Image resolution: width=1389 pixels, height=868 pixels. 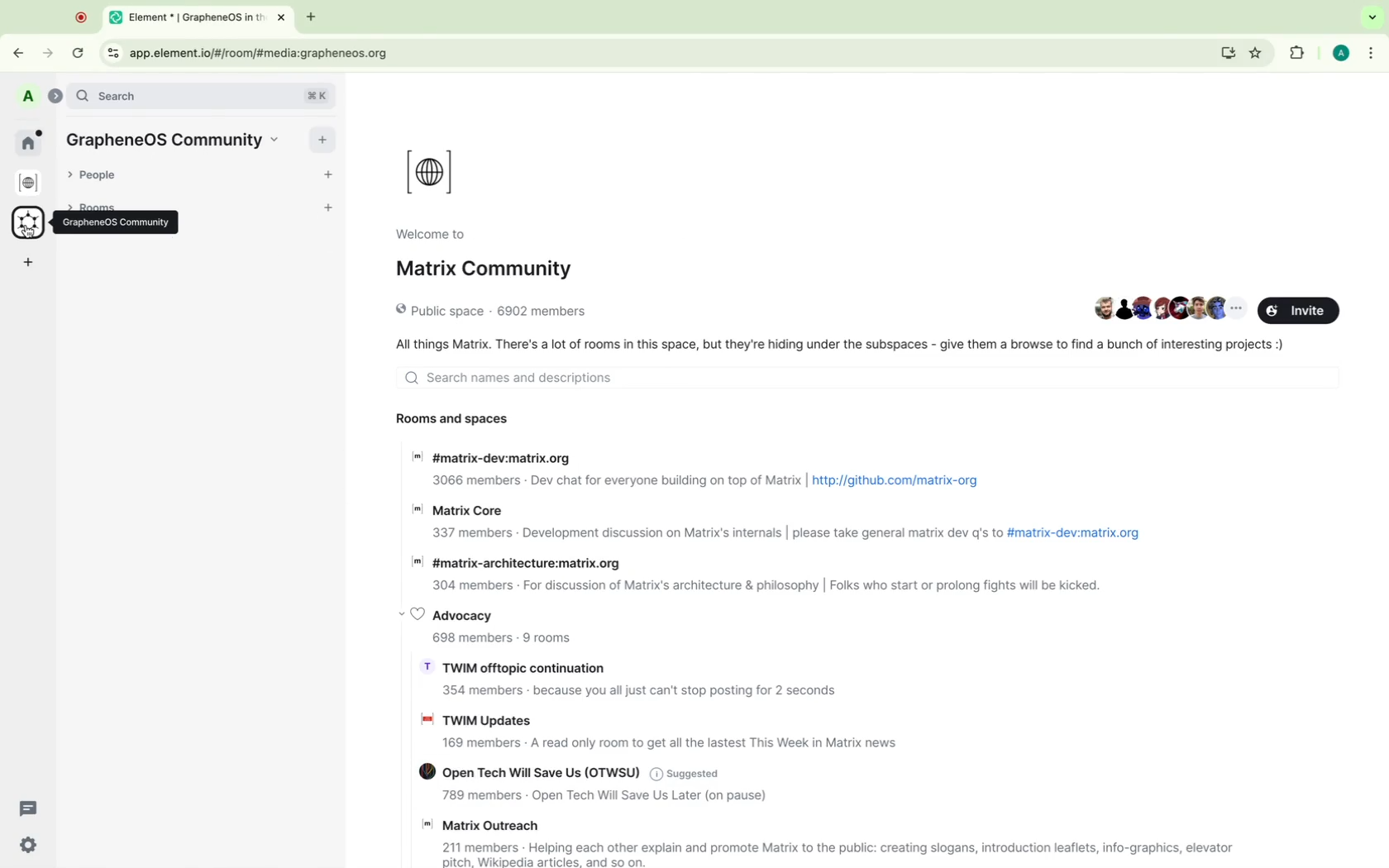 What do you see at coordinates (520, 562) in the screenshot?
I see `#matrix-architecture:matrix.org` at bounding box center [520, 562].